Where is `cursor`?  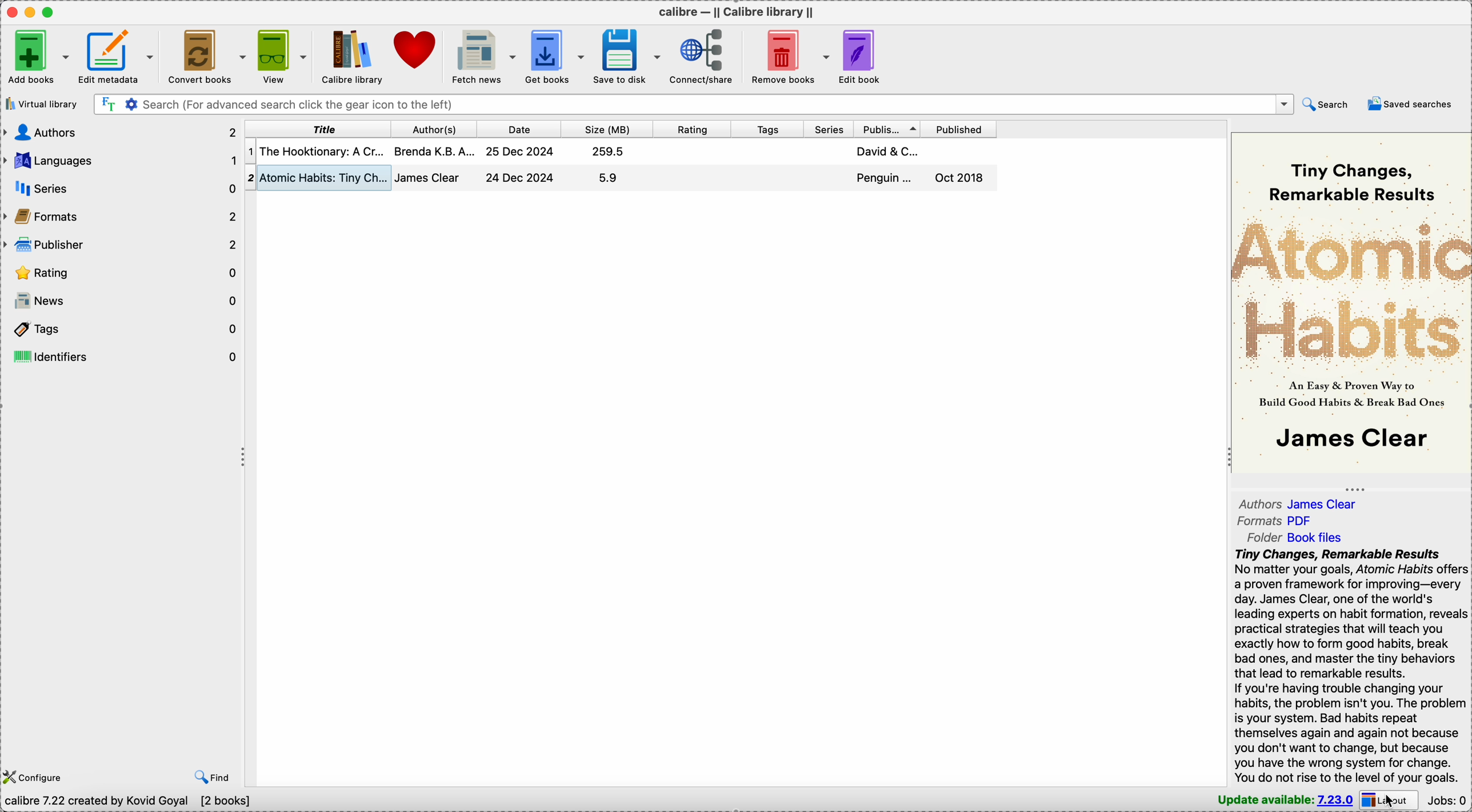 cursor is located at coordinates (1390, 801).